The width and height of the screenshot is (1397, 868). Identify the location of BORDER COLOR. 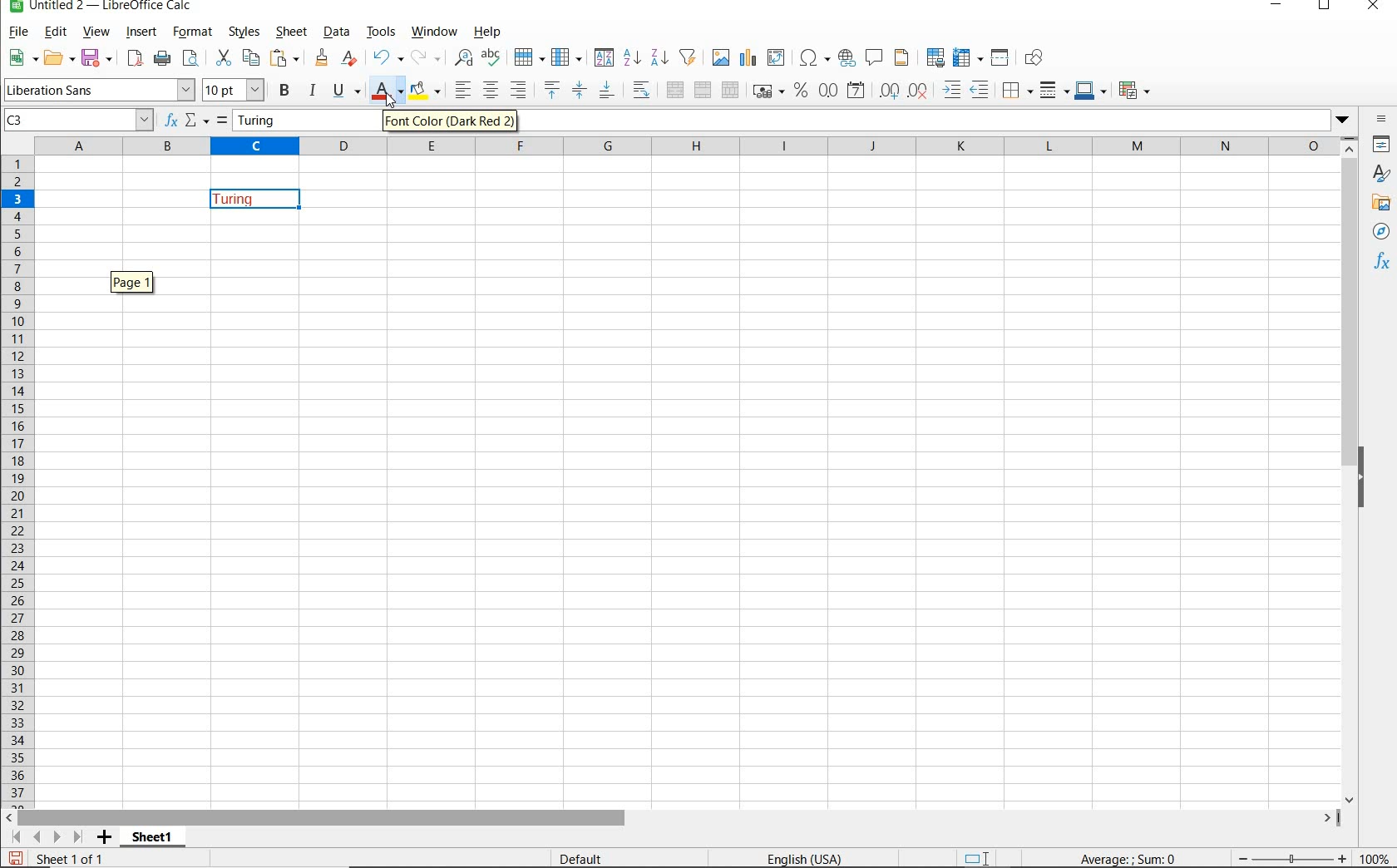
(1089, 91).